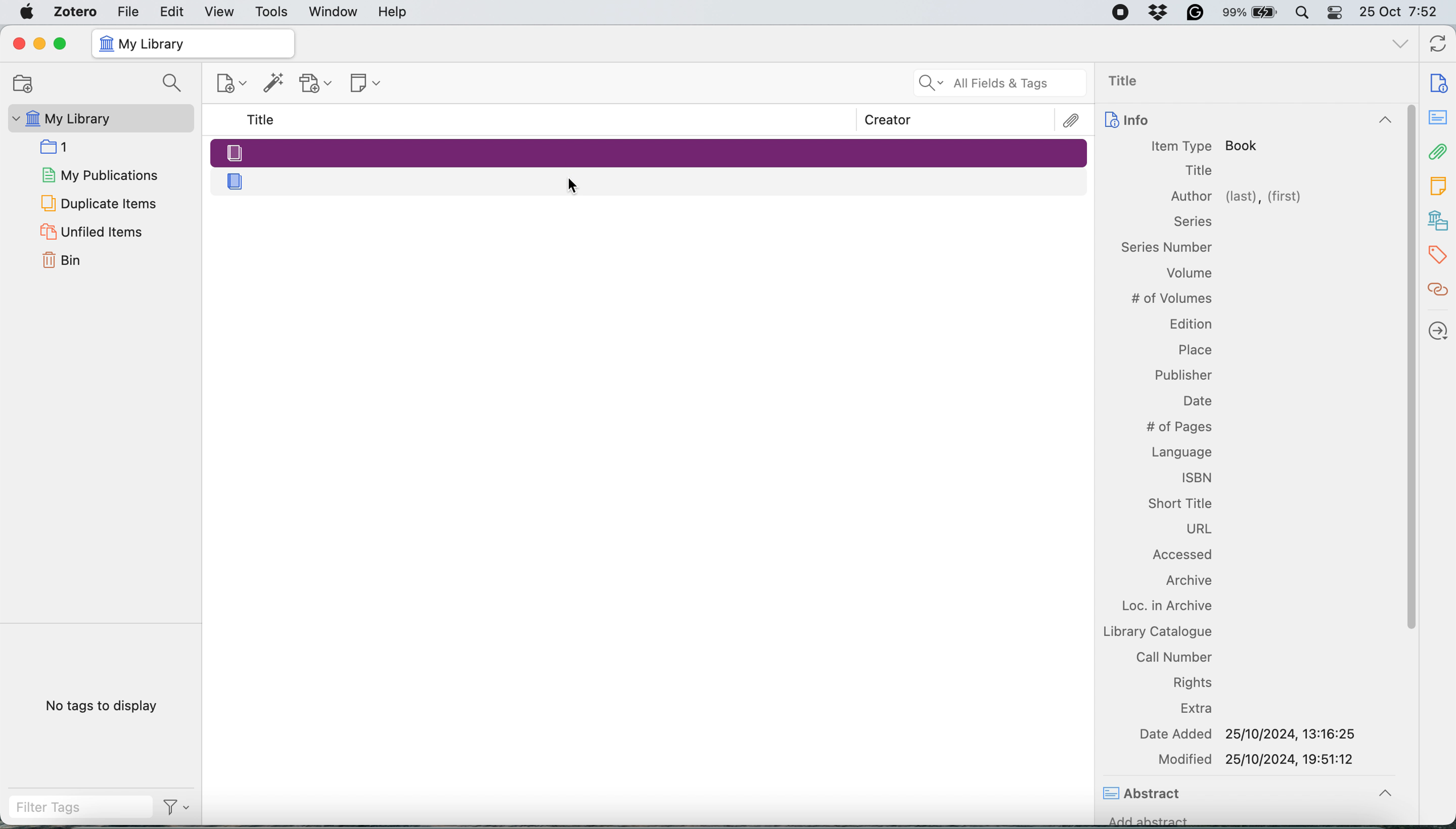 The height and width of the screenshot is (829, 1456). Describe the element at coordinates (1196, 401) in the screenshot. I see `Date` at that location.